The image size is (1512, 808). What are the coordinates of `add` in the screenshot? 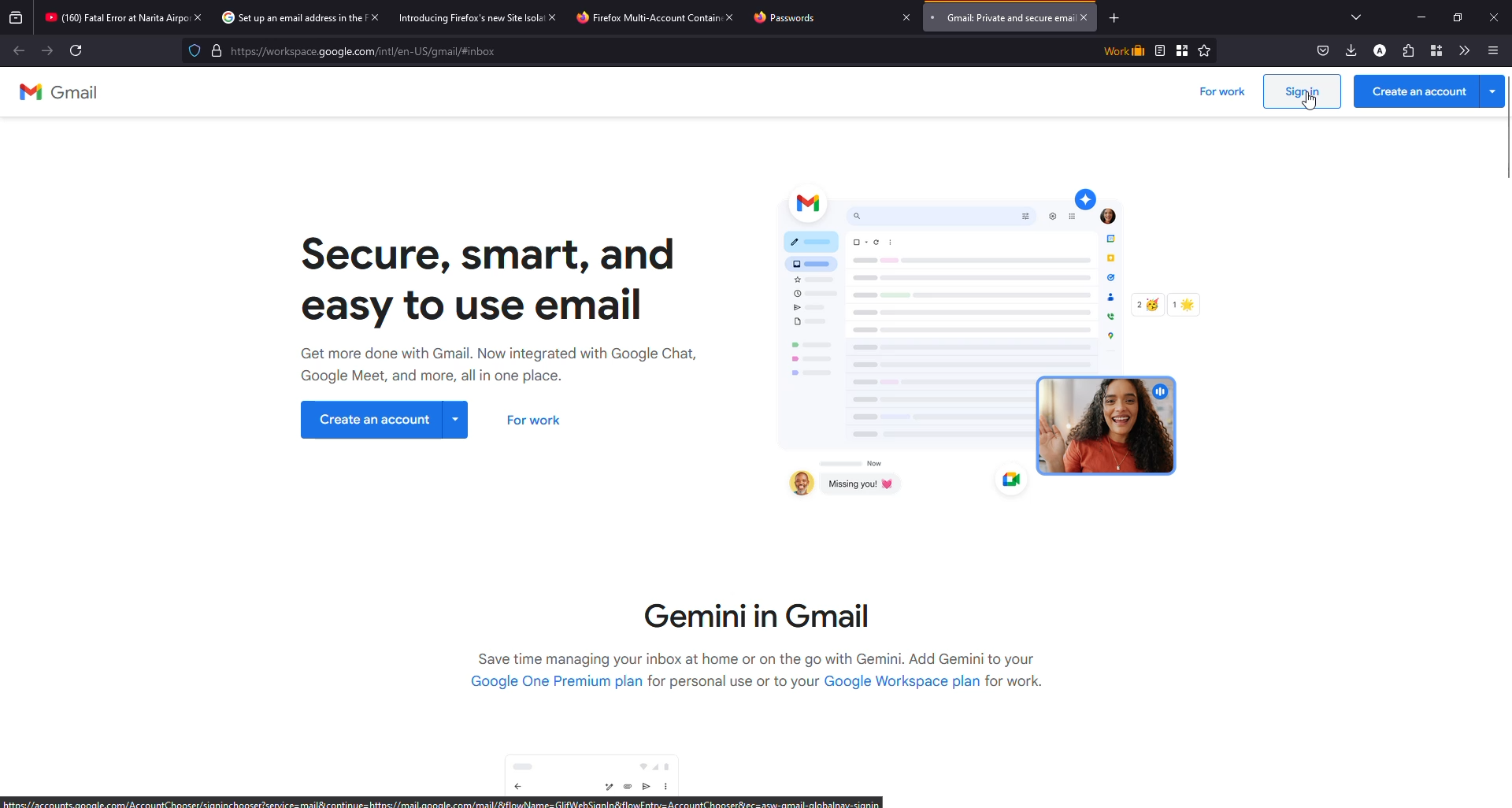 It's located at (1114, 18).